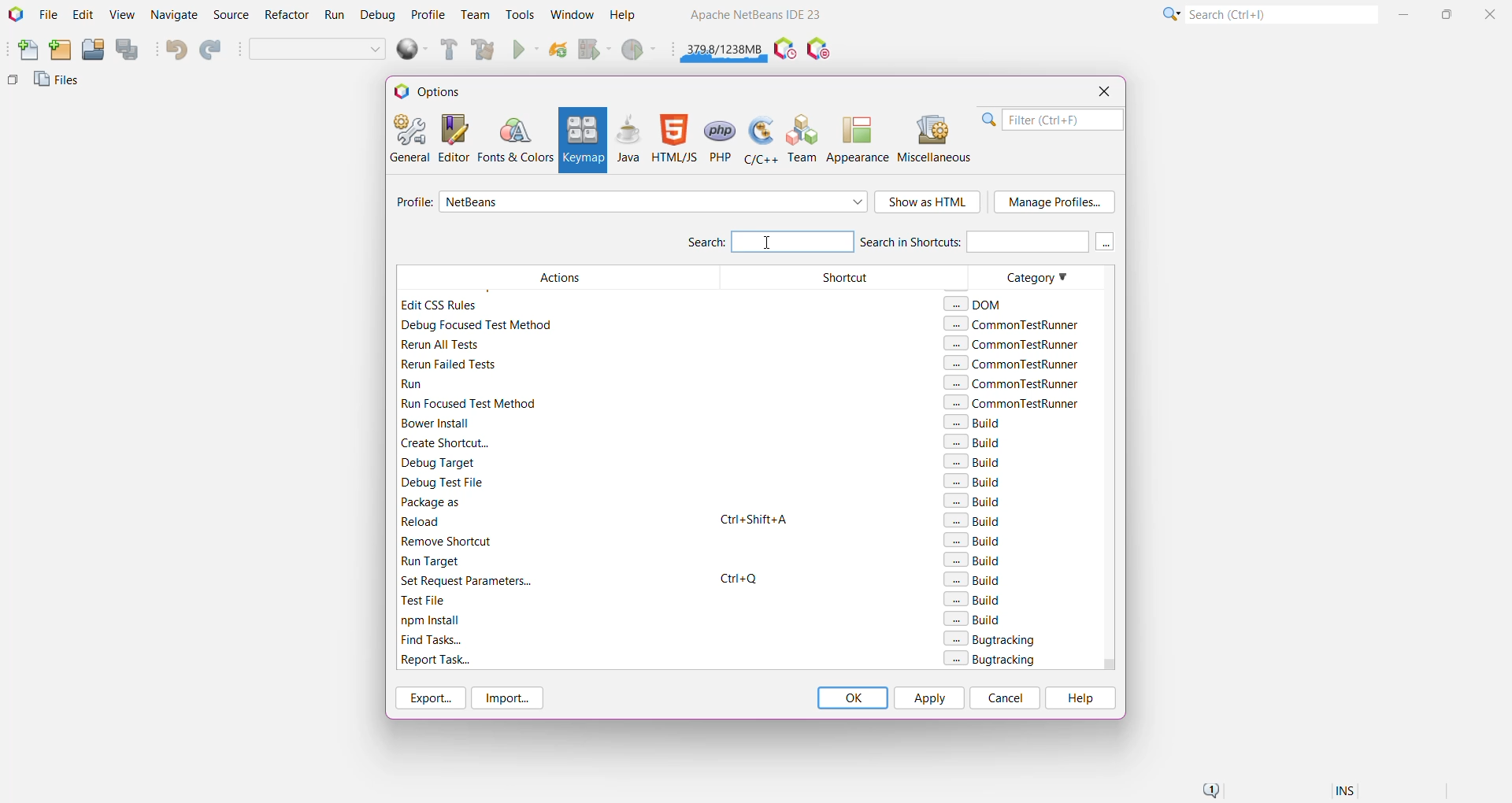 This screenshot has width=1512, height=803. What do you see at coordinates (792, 242) in the screenshot?
I see `Type the next action to set Keyboard shortcut` at bounding box center [792, 242].